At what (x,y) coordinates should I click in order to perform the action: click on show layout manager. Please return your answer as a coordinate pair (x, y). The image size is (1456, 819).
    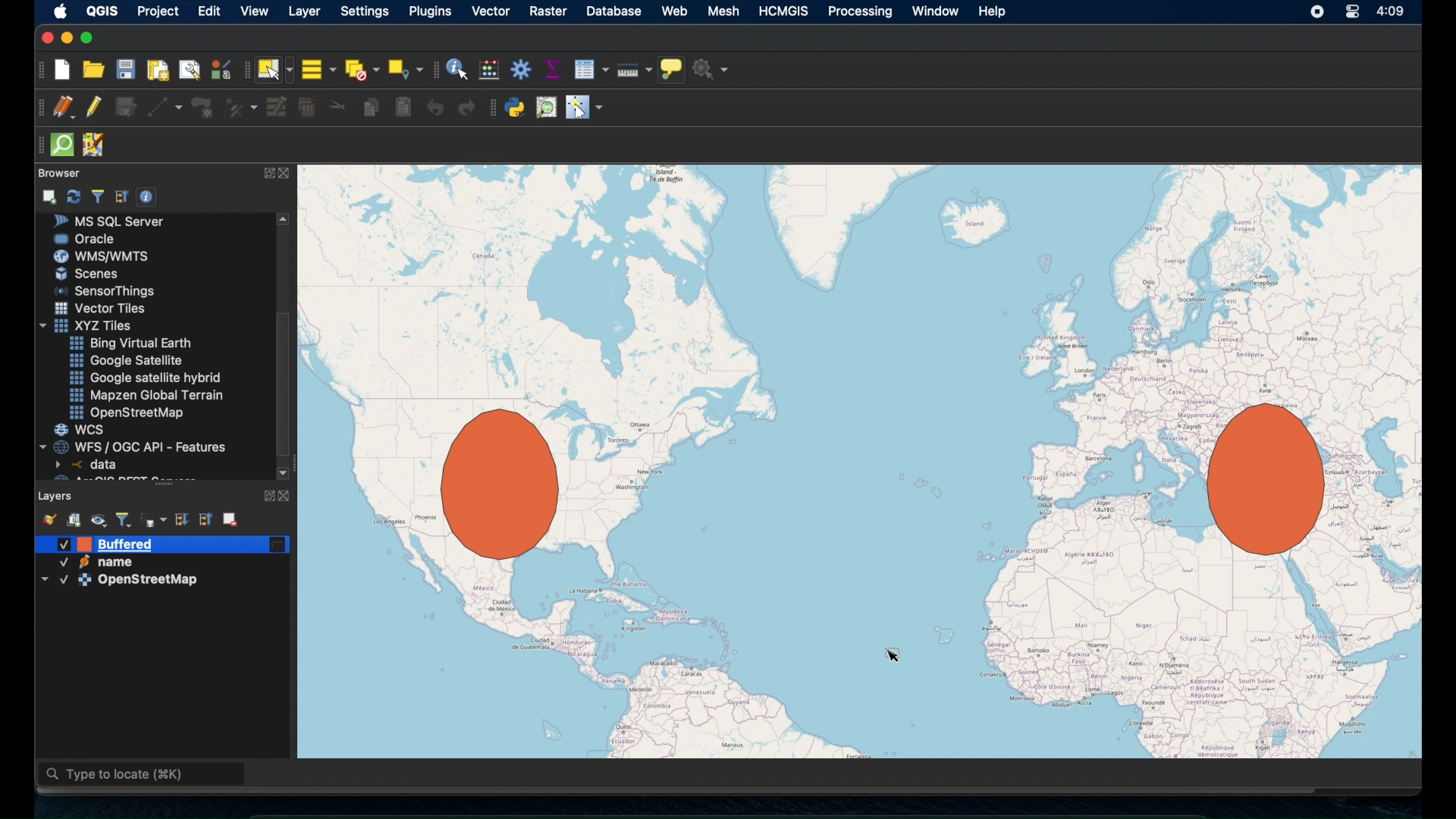
    Looking at the image, I should click on (192, 71).